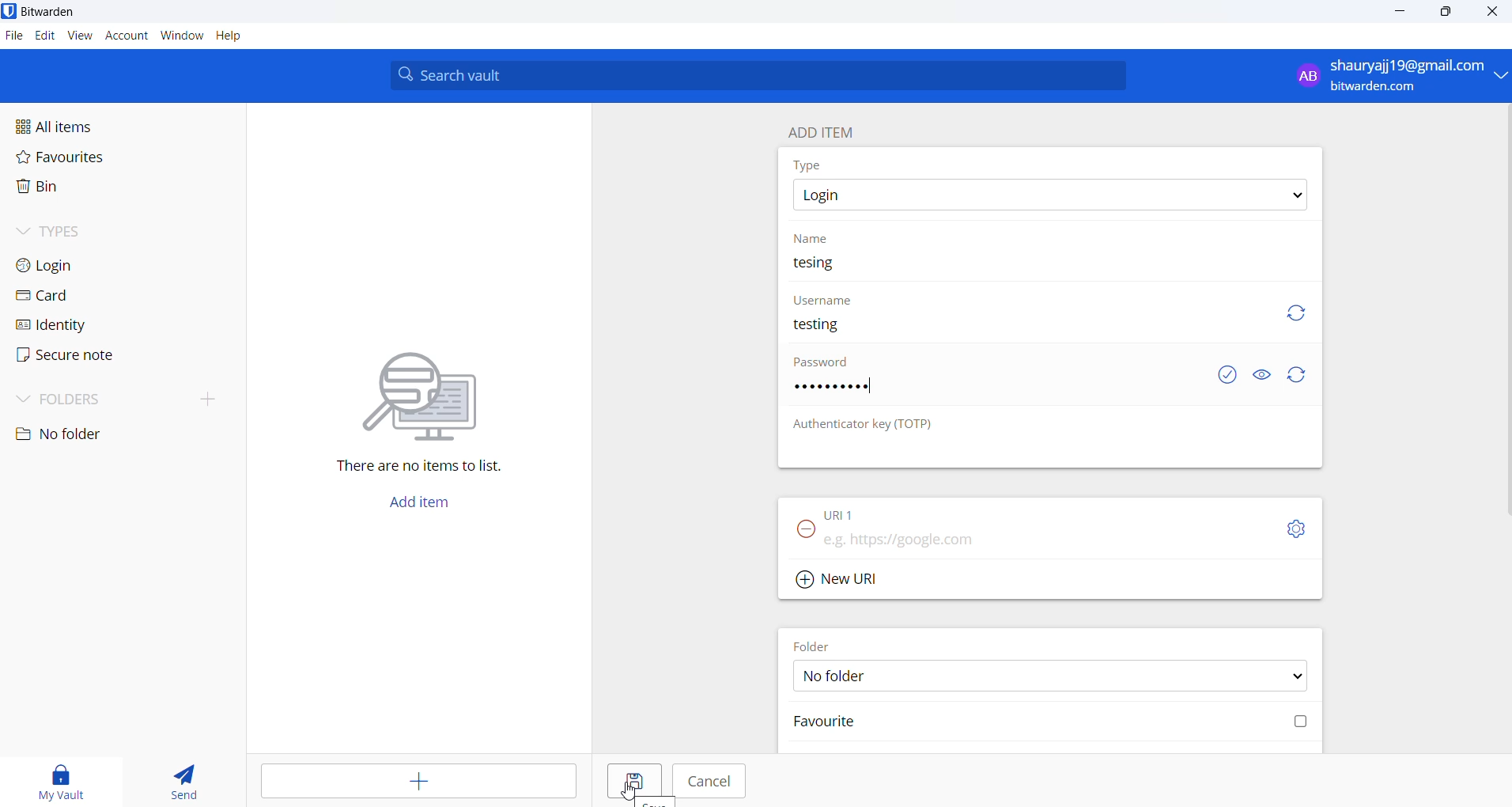  Describe the element at coordinates (1296, 311) in the screenshot. I see ` generate username` at that location.